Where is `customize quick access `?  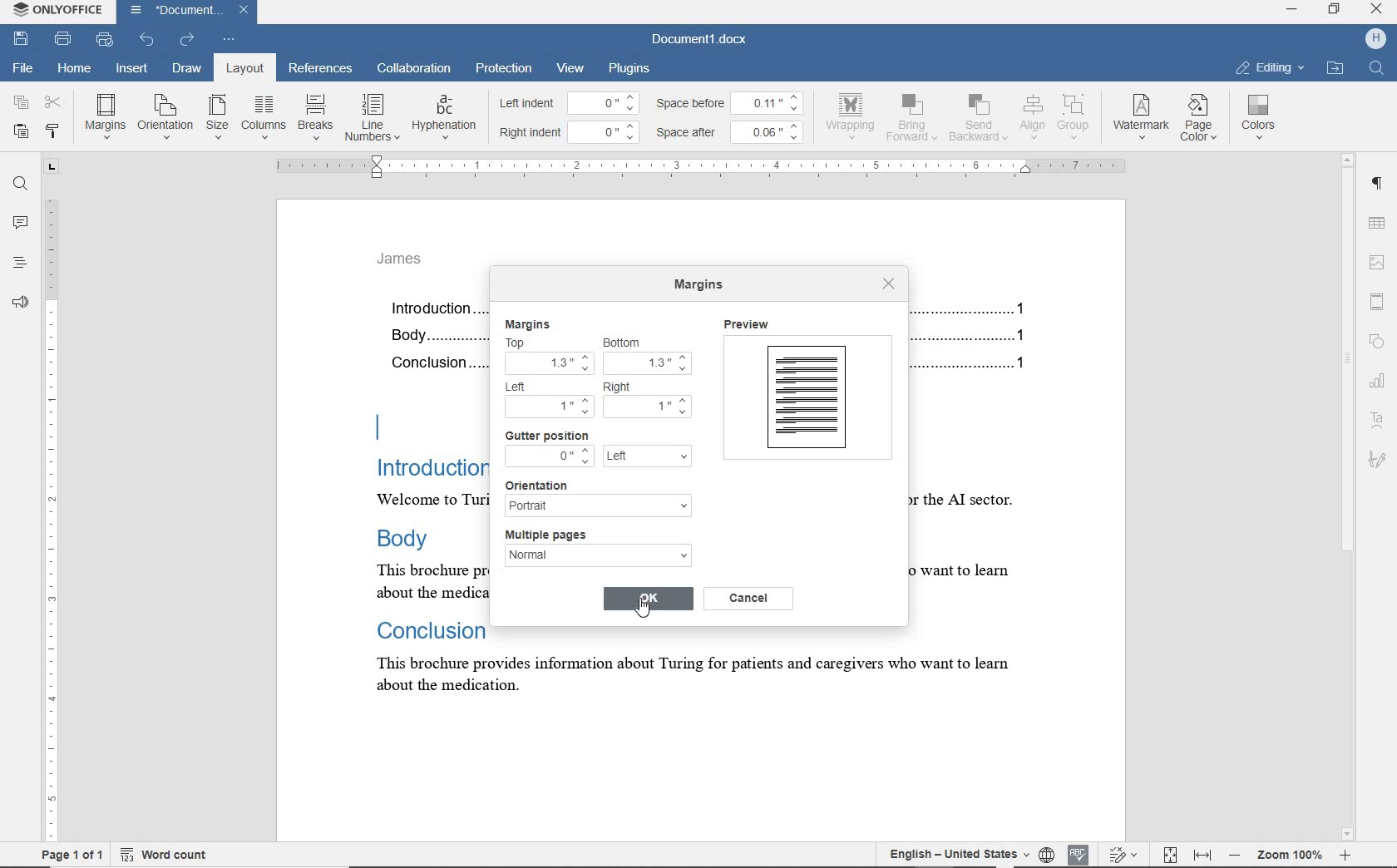 customize quick access  is located at coordinates (230, 40).